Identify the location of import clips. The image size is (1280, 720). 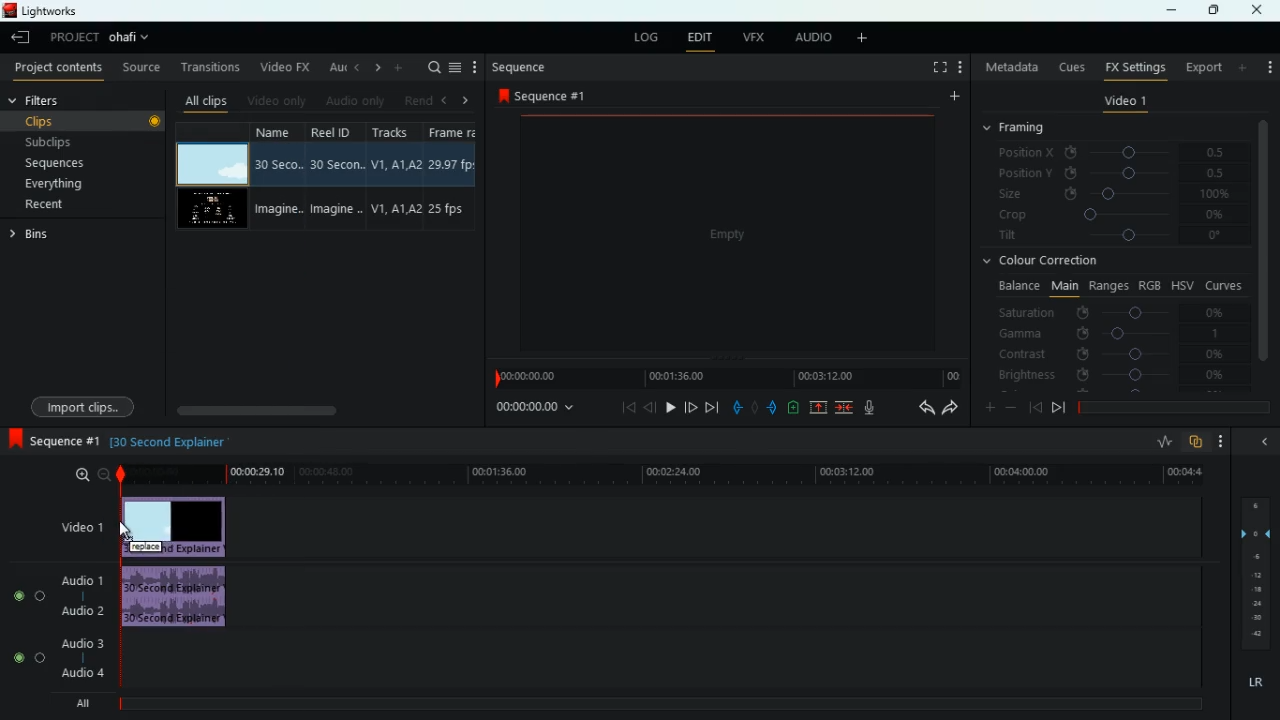
(86, 404).